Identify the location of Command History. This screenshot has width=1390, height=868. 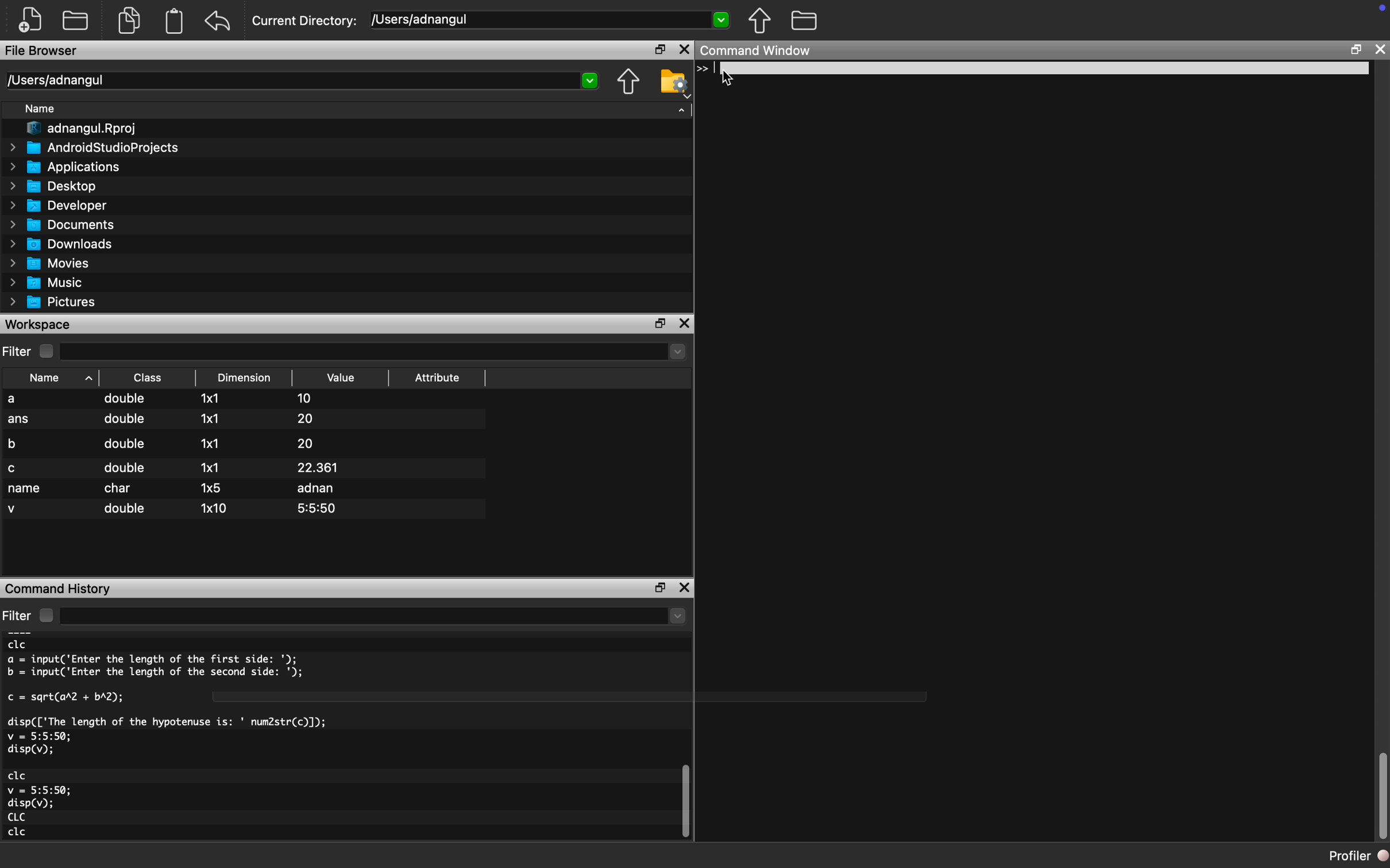
(60, 588).